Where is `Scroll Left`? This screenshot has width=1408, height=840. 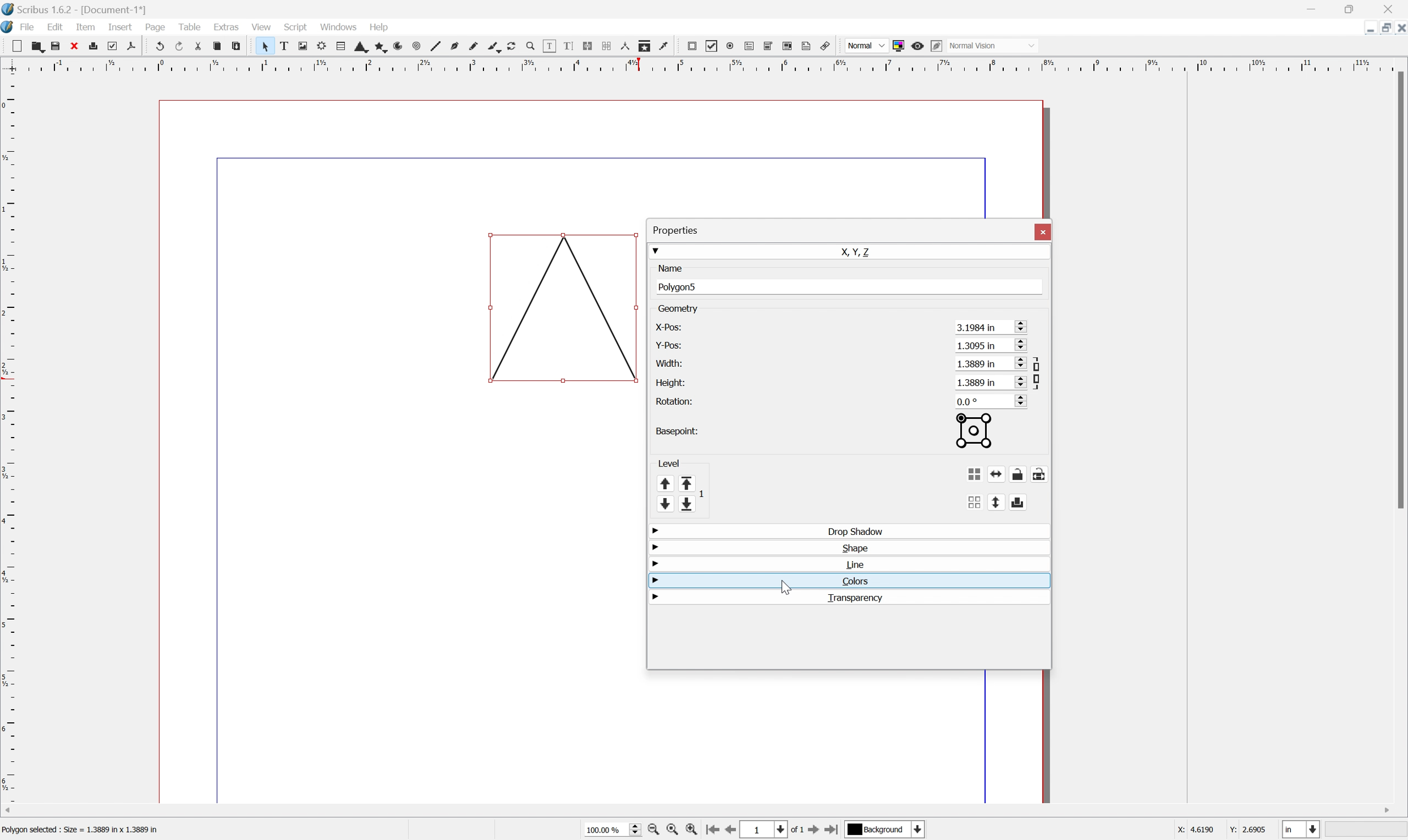
Scroll Left is located at coordinates (10, 810).